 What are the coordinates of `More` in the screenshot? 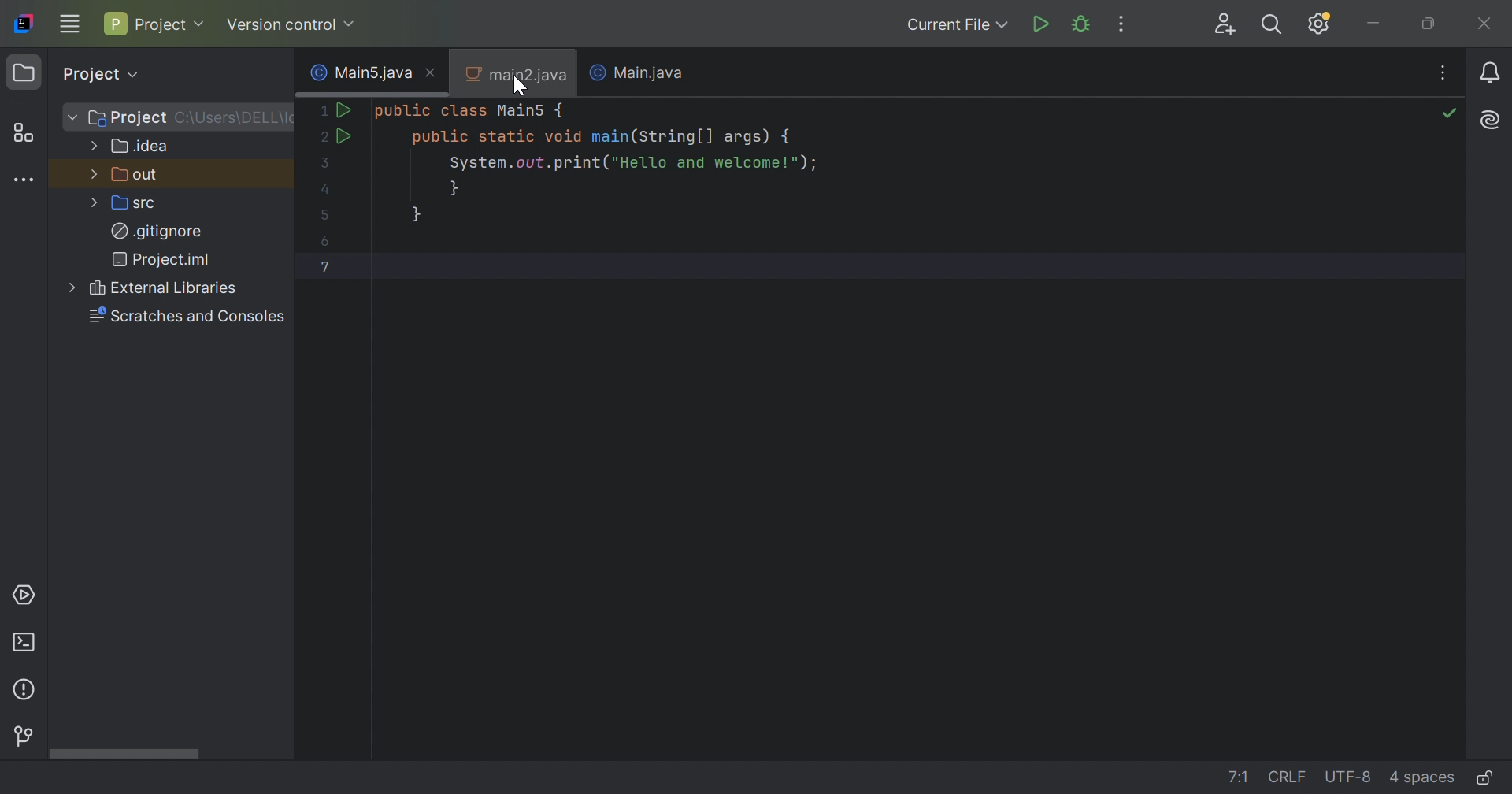 It's located at (75, 288).